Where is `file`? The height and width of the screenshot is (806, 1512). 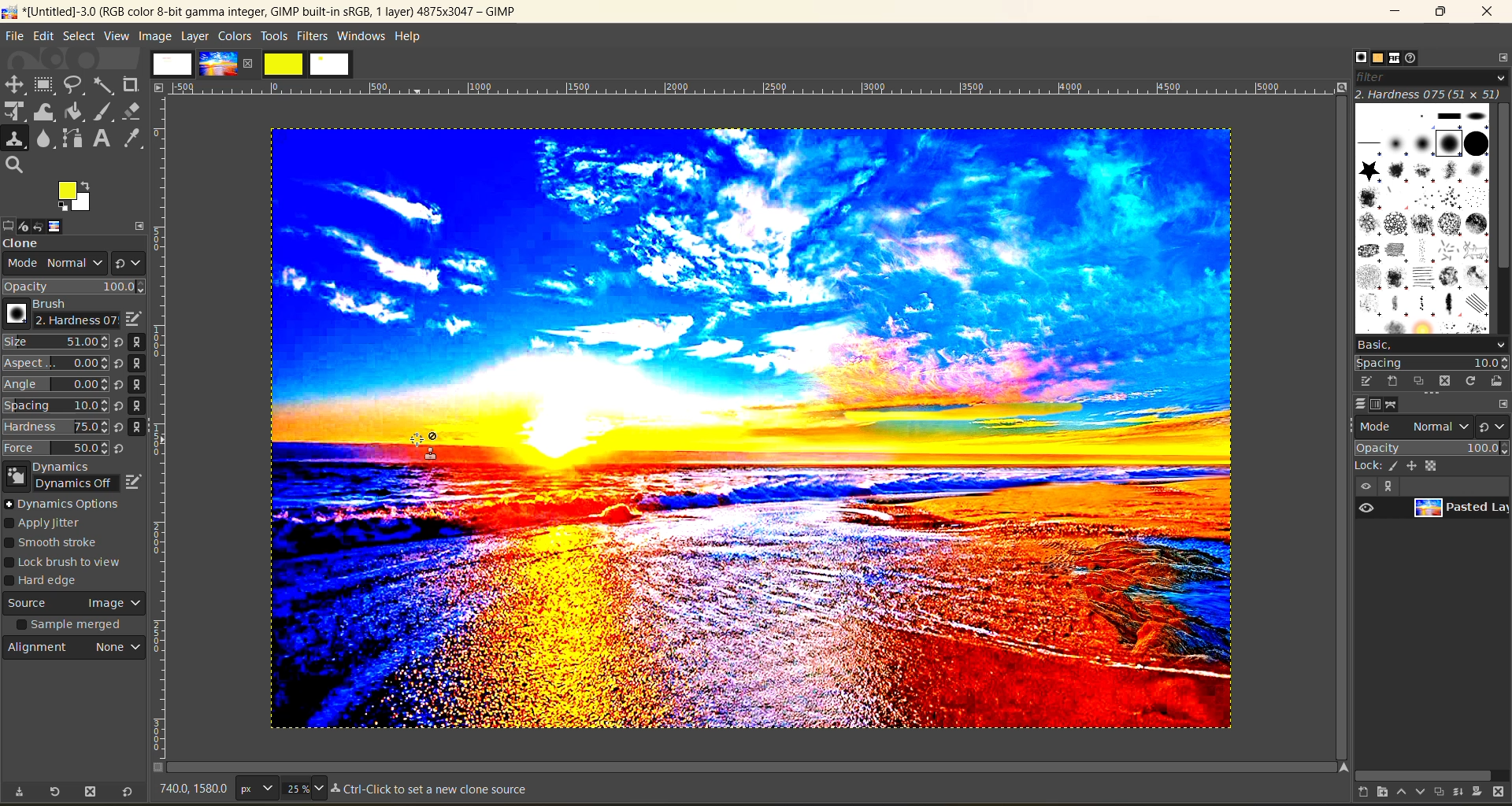
file is located at coordinates (15, 35).